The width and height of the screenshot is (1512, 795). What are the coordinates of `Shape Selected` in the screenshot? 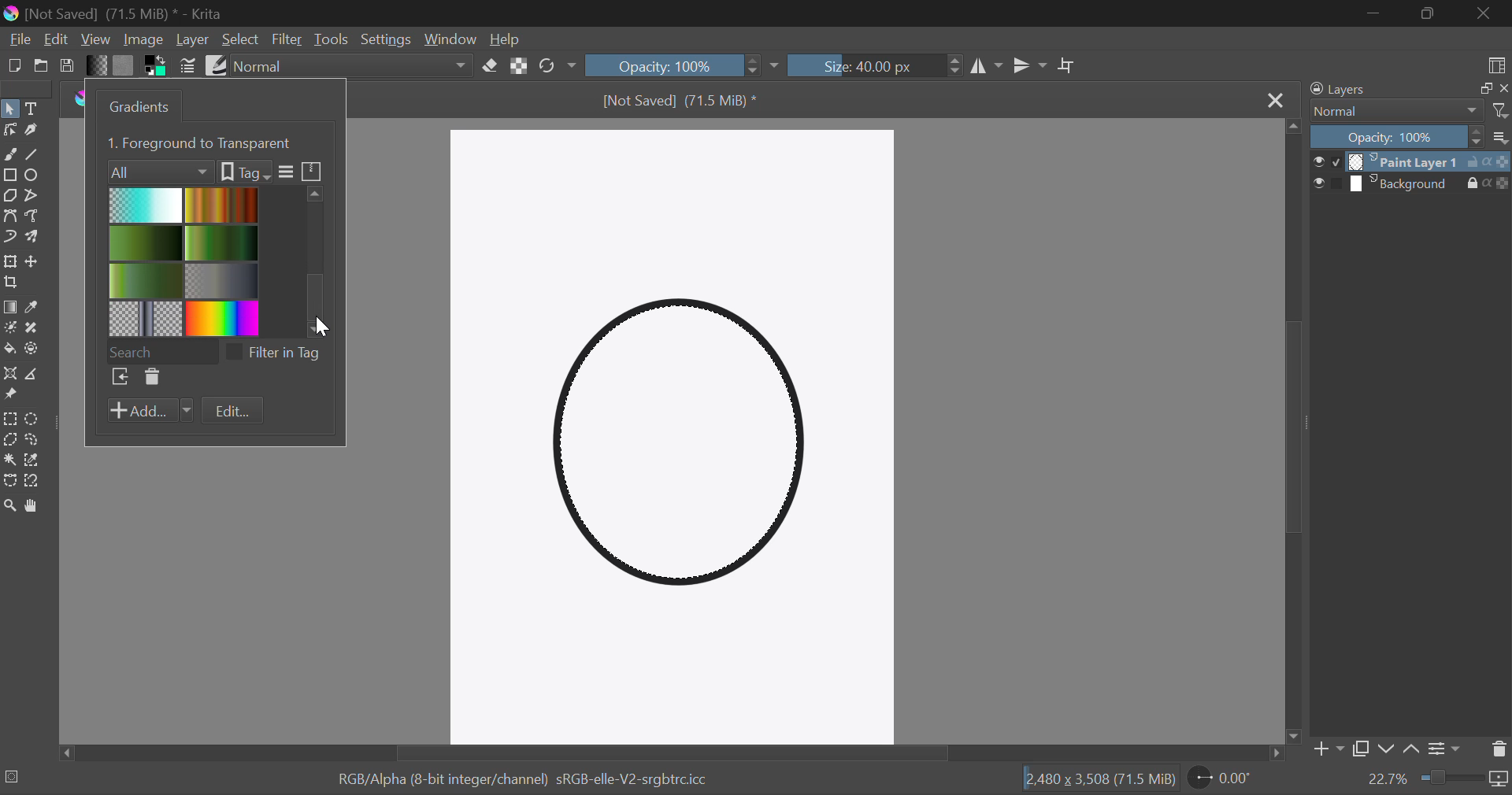 It's located at (684, 449).